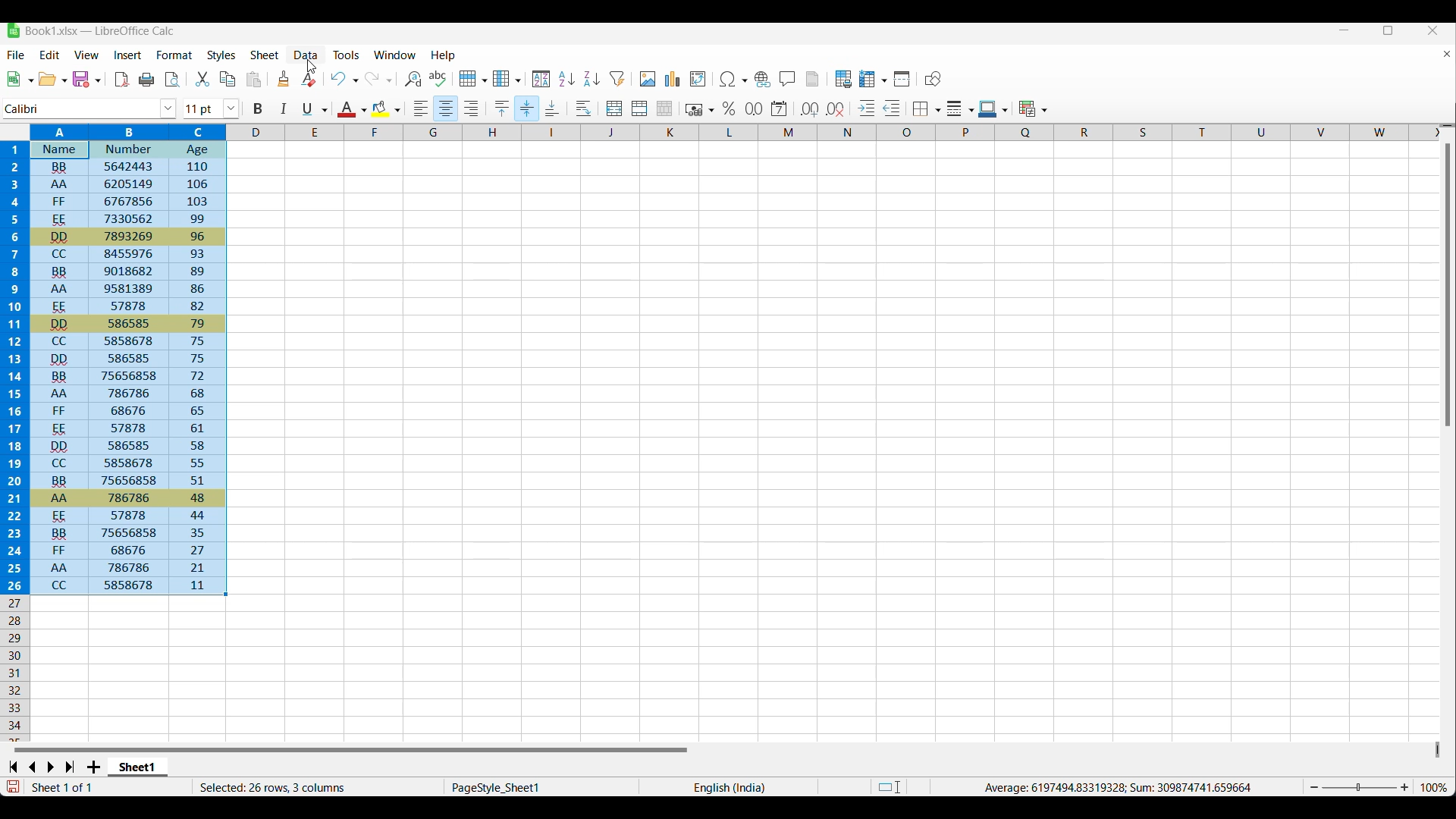  Describe the element at coordinates (438, 78) in the screenshot. I see `Spell check` at that location.